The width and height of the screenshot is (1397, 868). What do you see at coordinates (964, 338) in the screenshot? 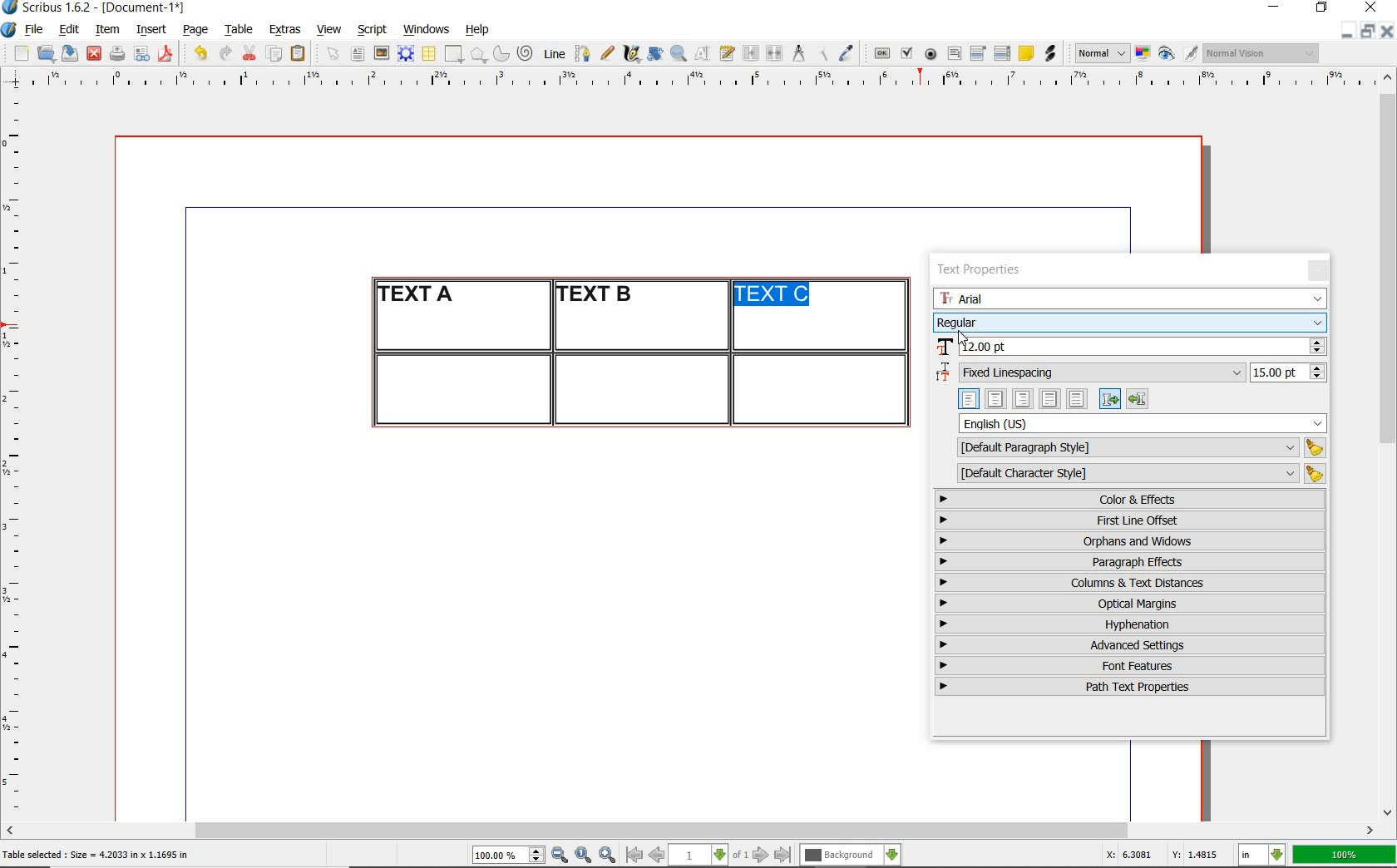
I see `cursor` at bounding box center [964, 338].